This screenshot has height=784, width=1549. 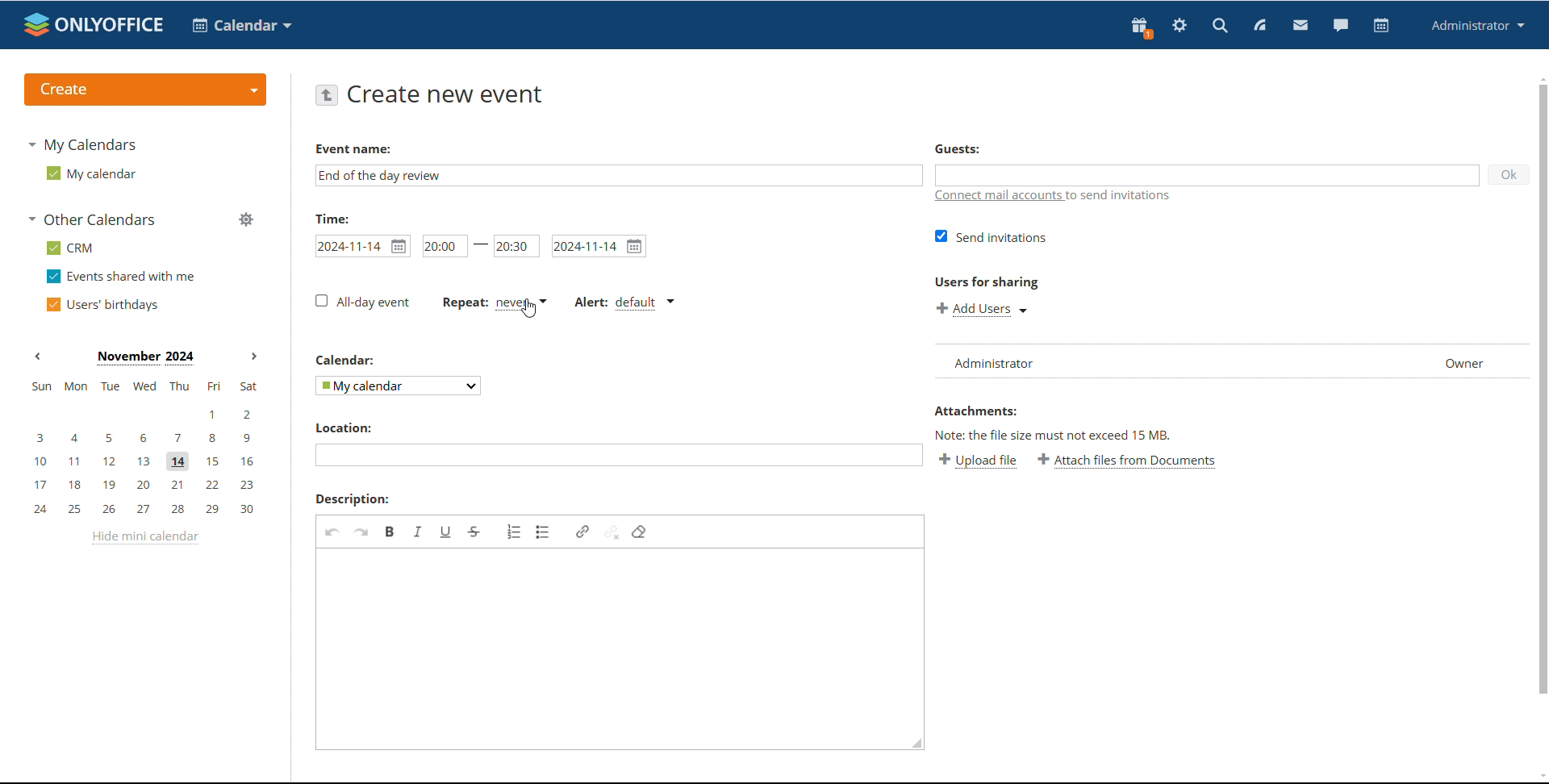 I want to click on search, so click(x=1219, y=27).